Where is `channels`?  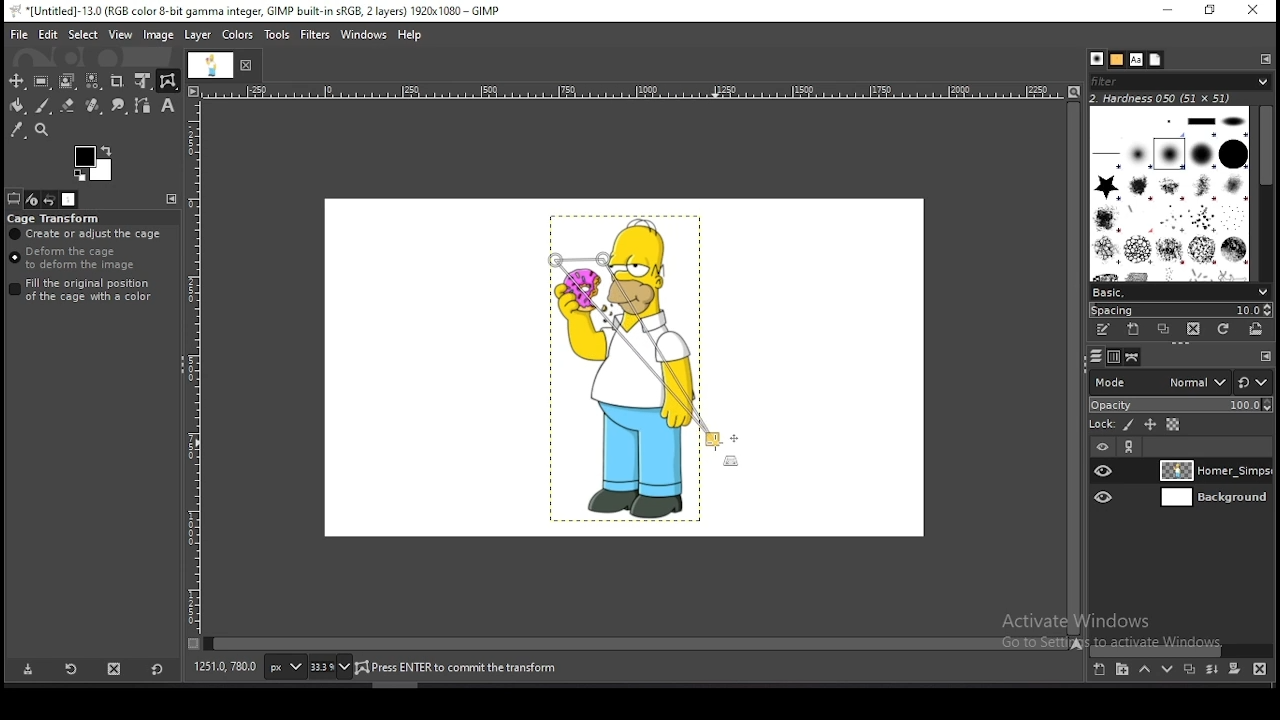 channels is located at coordinates (1112, 356).